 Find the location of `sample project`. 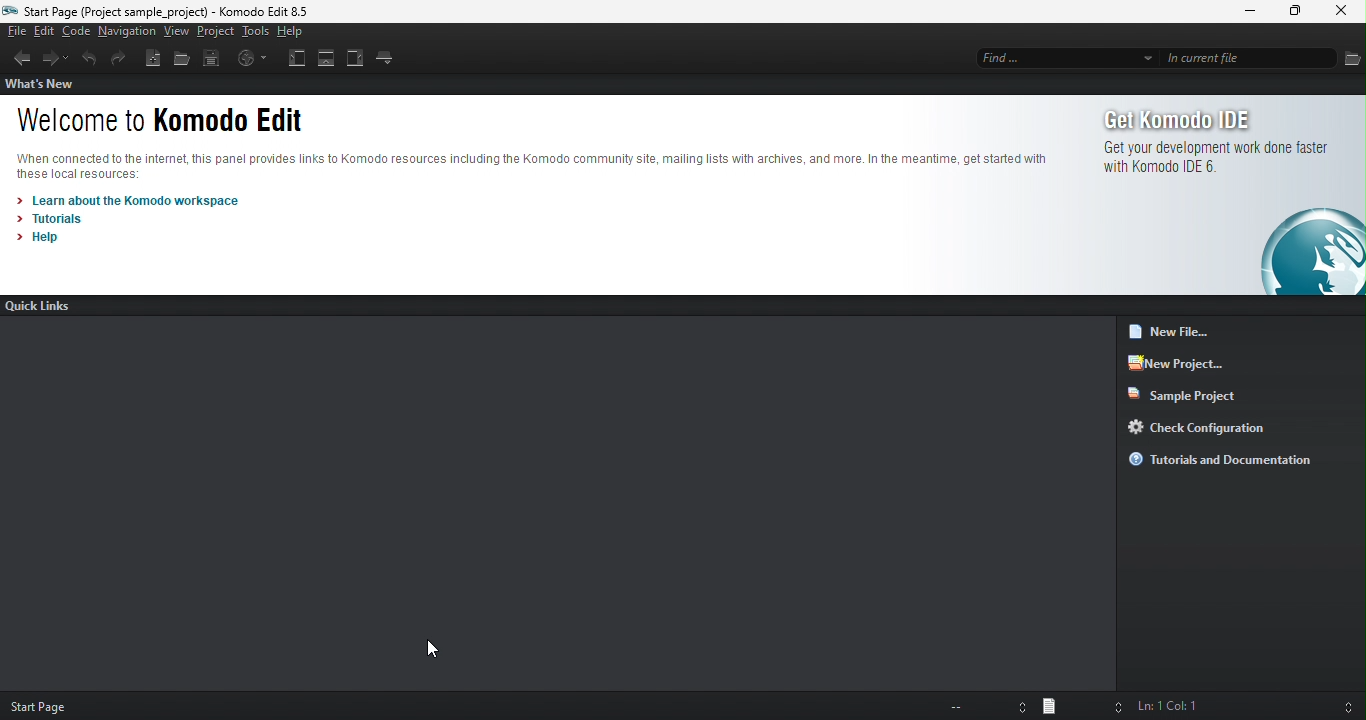

sample project is located at coordinates (1192, 393).